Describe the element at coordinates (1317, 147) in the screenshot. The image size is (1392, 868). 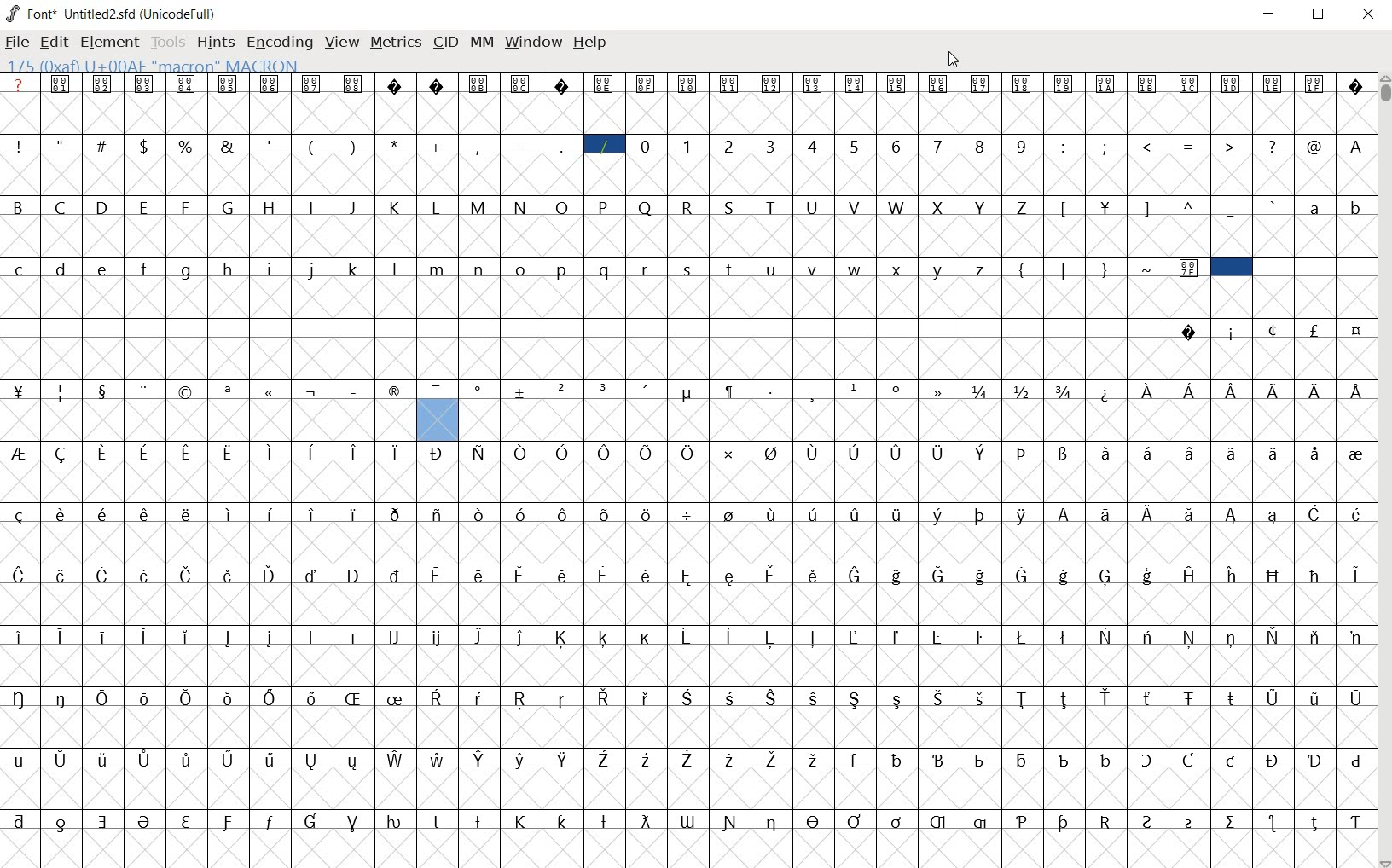
I see `@` at that location.